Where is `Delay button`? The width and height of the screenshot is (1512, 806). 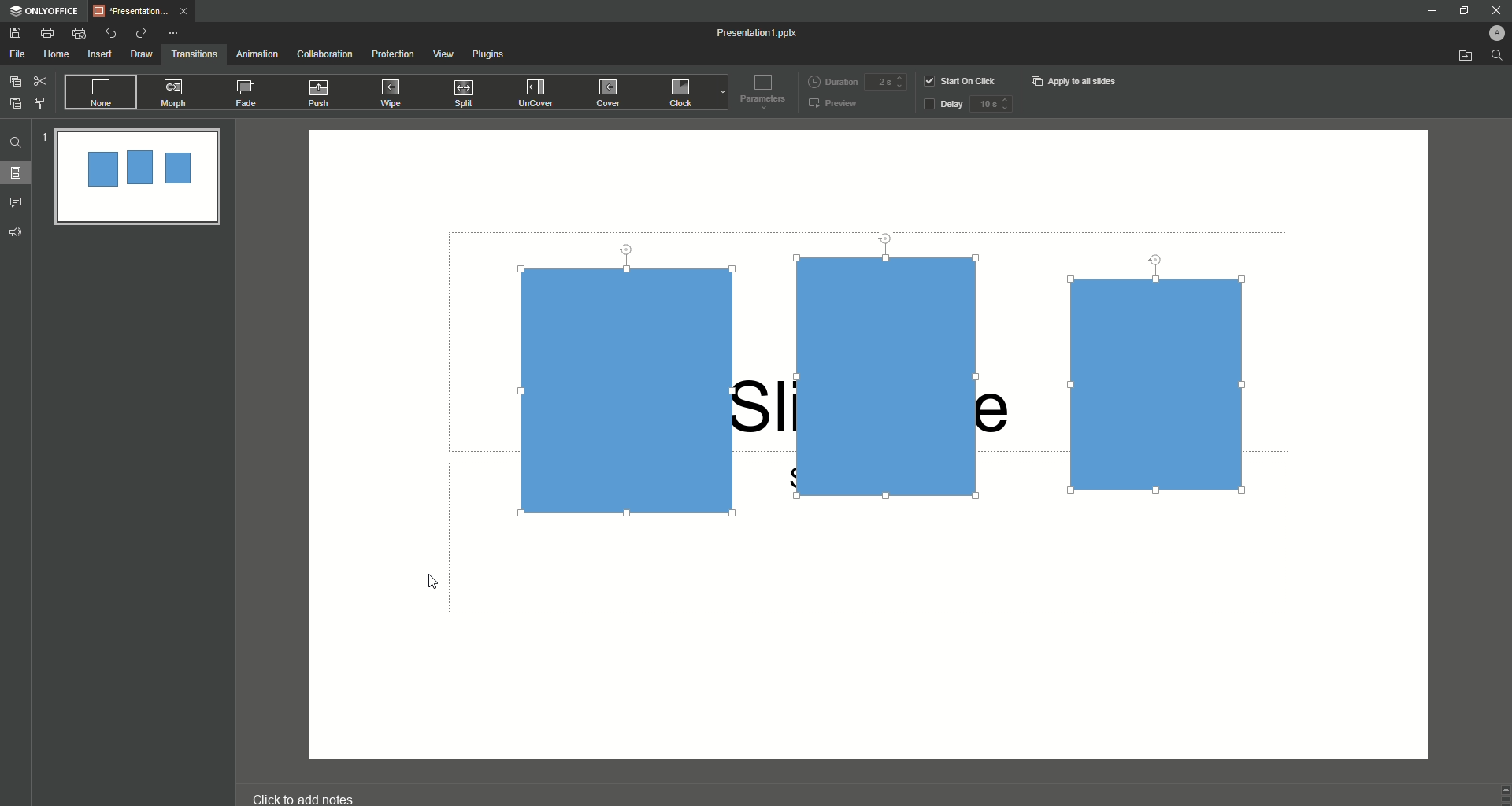
Delay button is located at coordinates (943, 105).